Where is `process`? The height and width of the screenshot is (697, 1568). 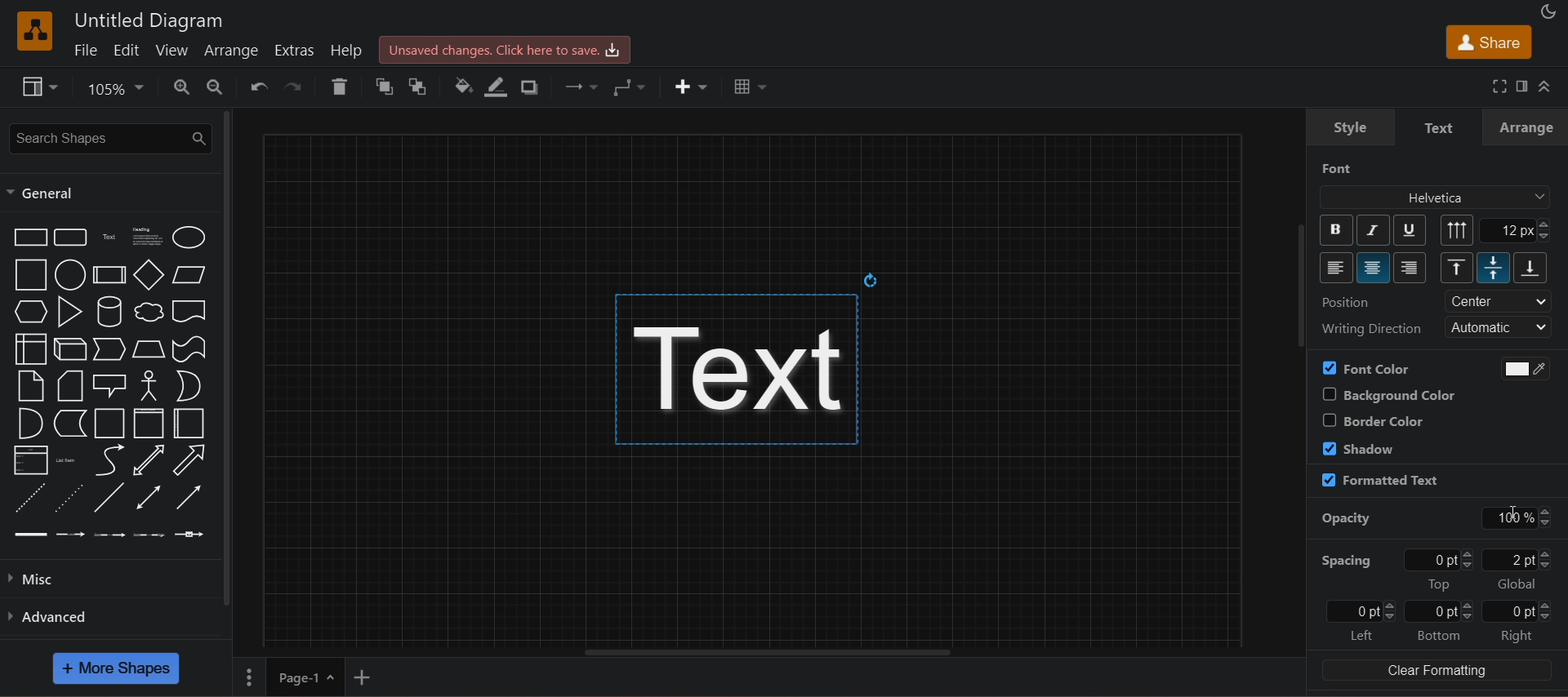
process is located at coordinates (109, 275).